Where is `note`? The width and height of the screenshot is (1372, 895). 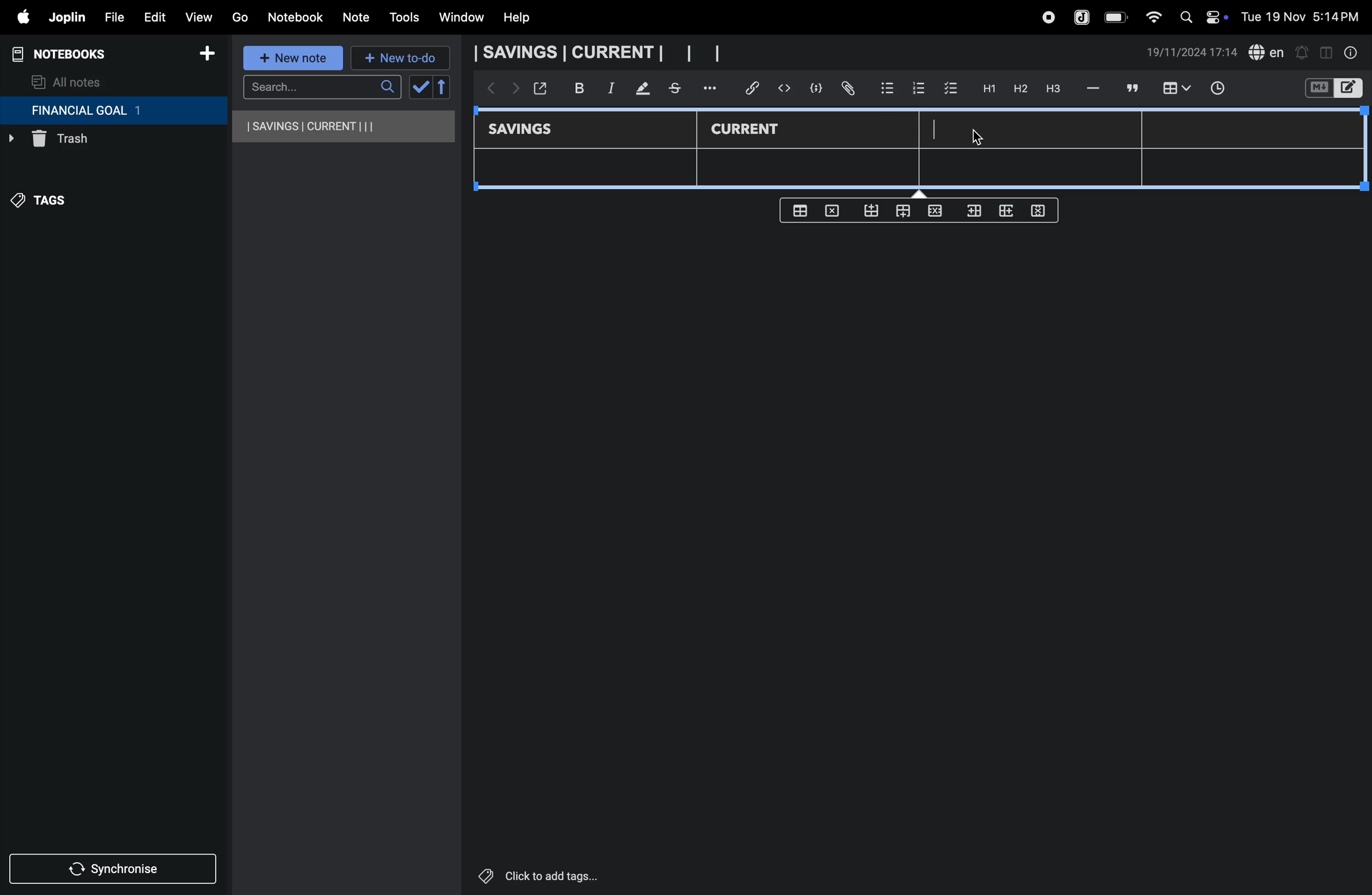
note is located at coordinates (358, 18).